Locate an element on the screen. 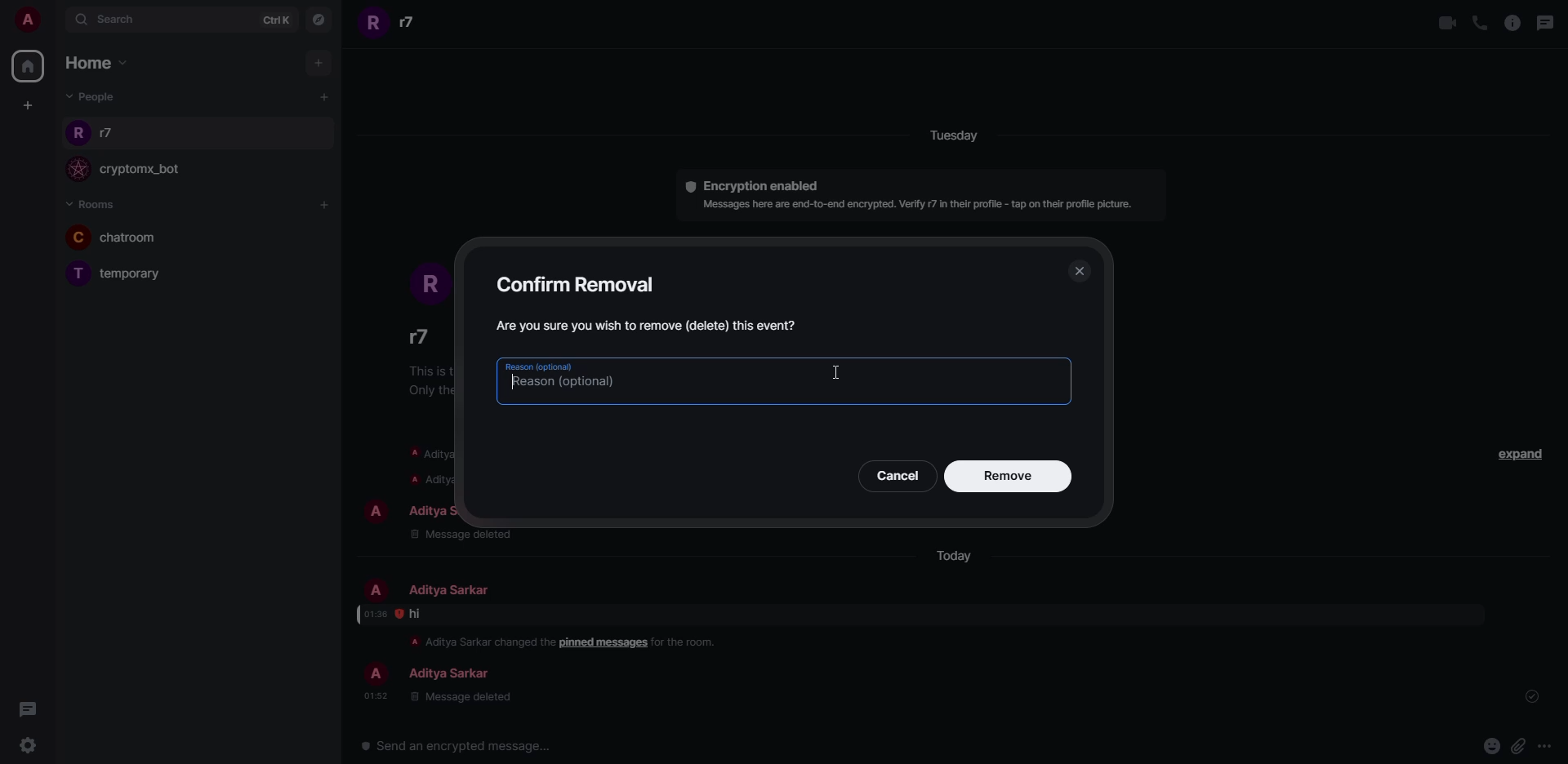  ctrlK is located at coordinates (266, 19).